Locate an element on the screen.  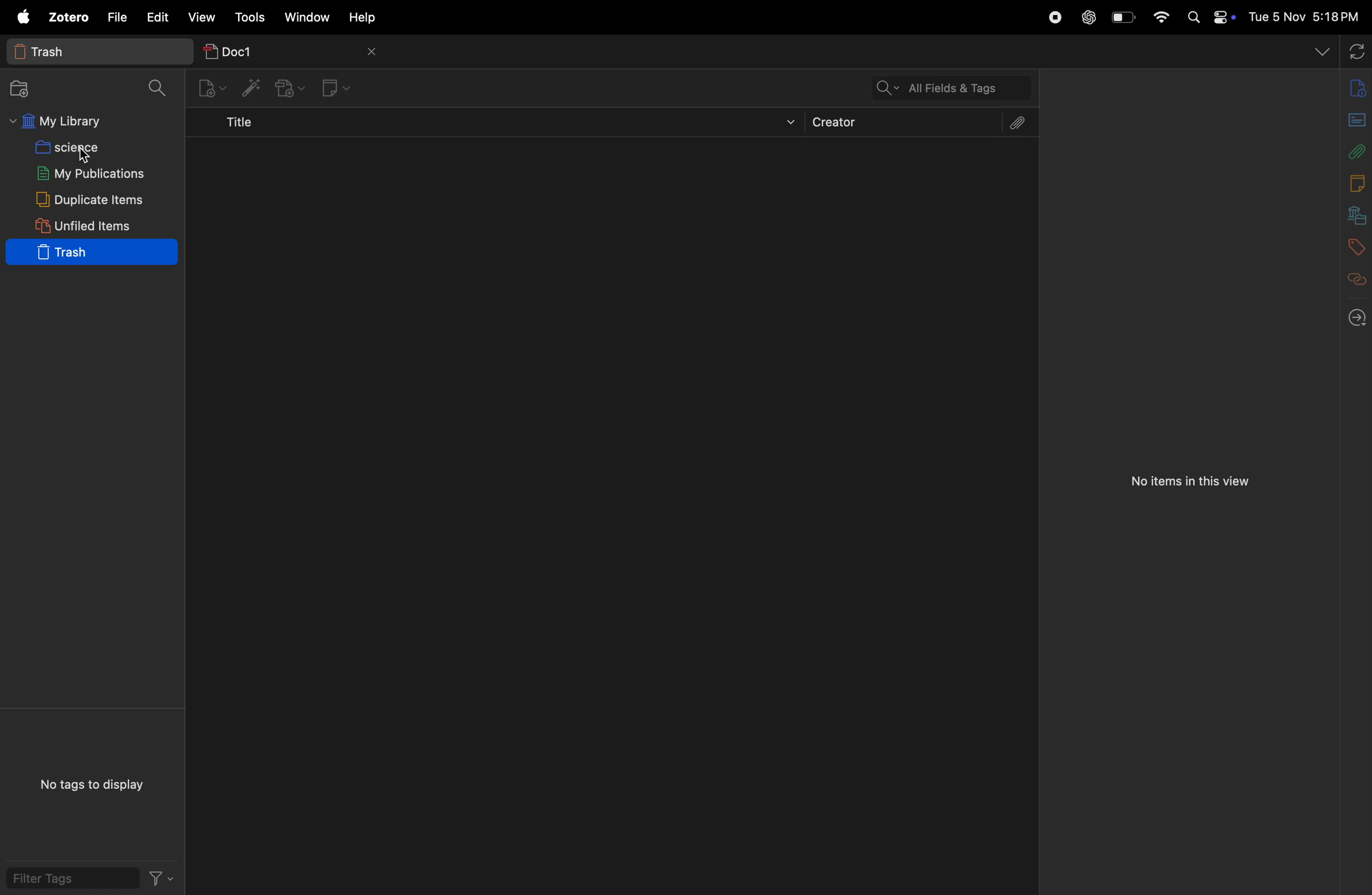
new item is located at coordinates (209, 89).